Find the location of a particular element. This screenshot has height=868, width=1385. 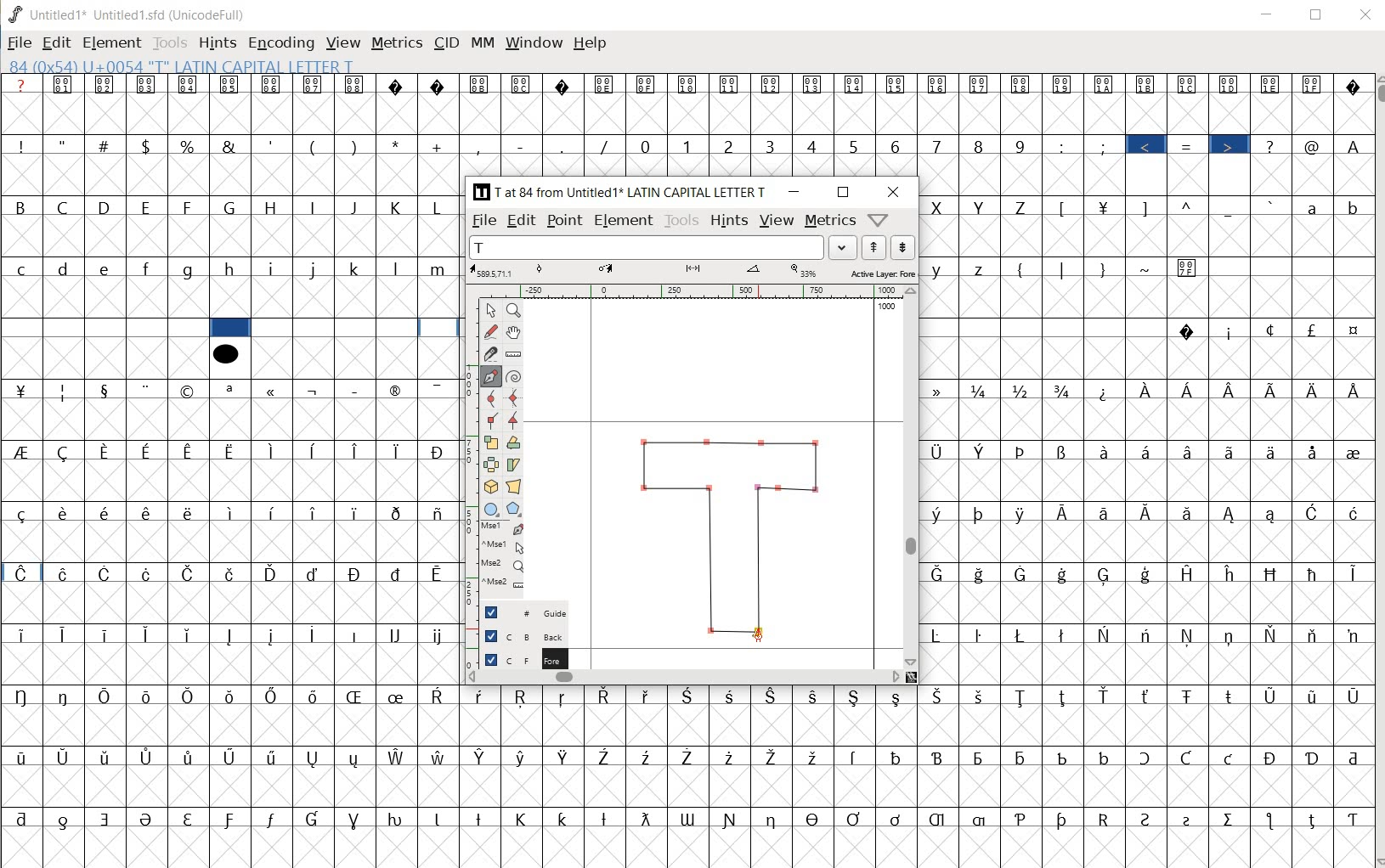

Symbol is located at coordinates (523, 84).